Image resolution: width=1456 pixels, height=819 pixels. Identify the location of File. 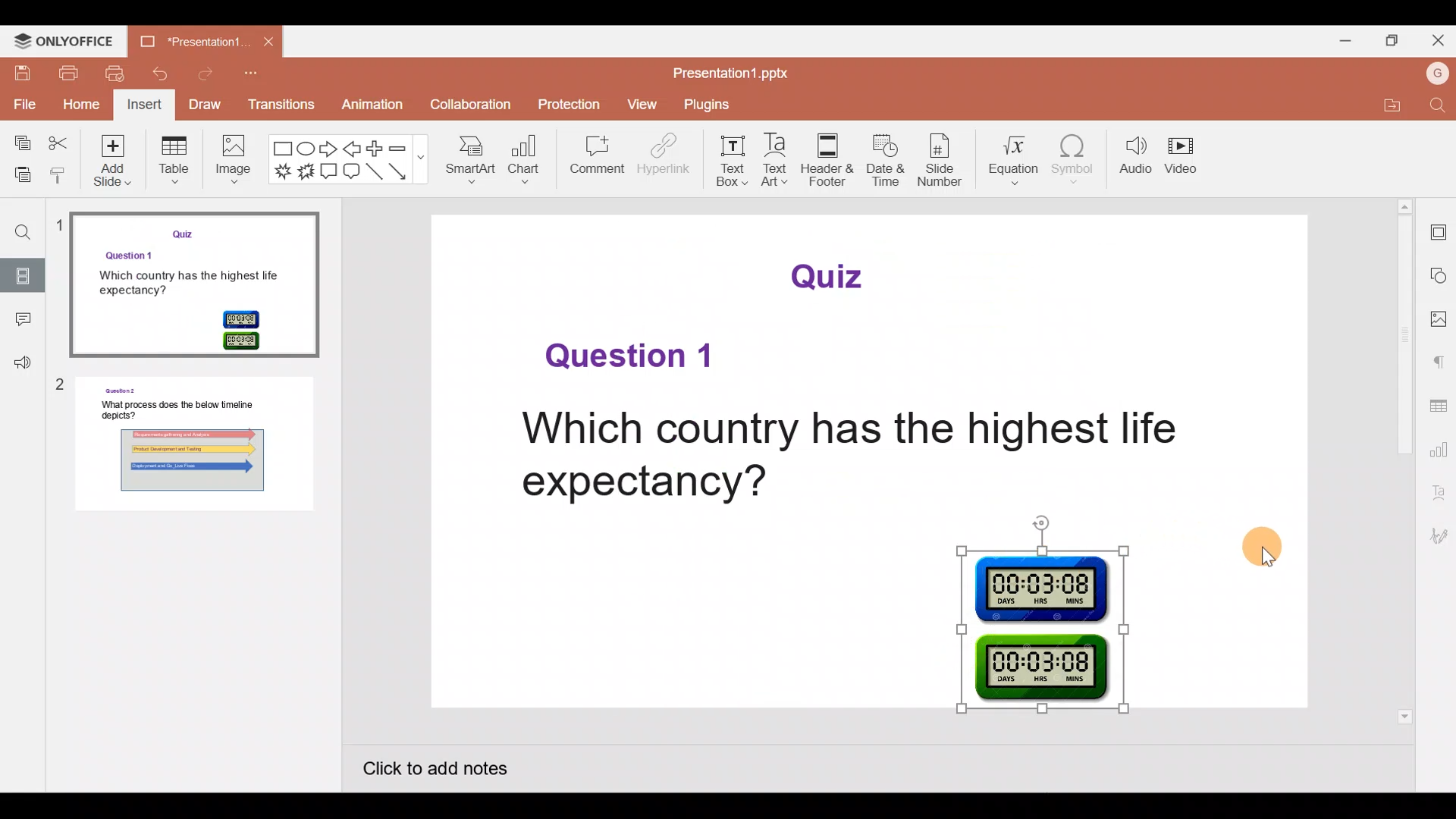
(21, 104).